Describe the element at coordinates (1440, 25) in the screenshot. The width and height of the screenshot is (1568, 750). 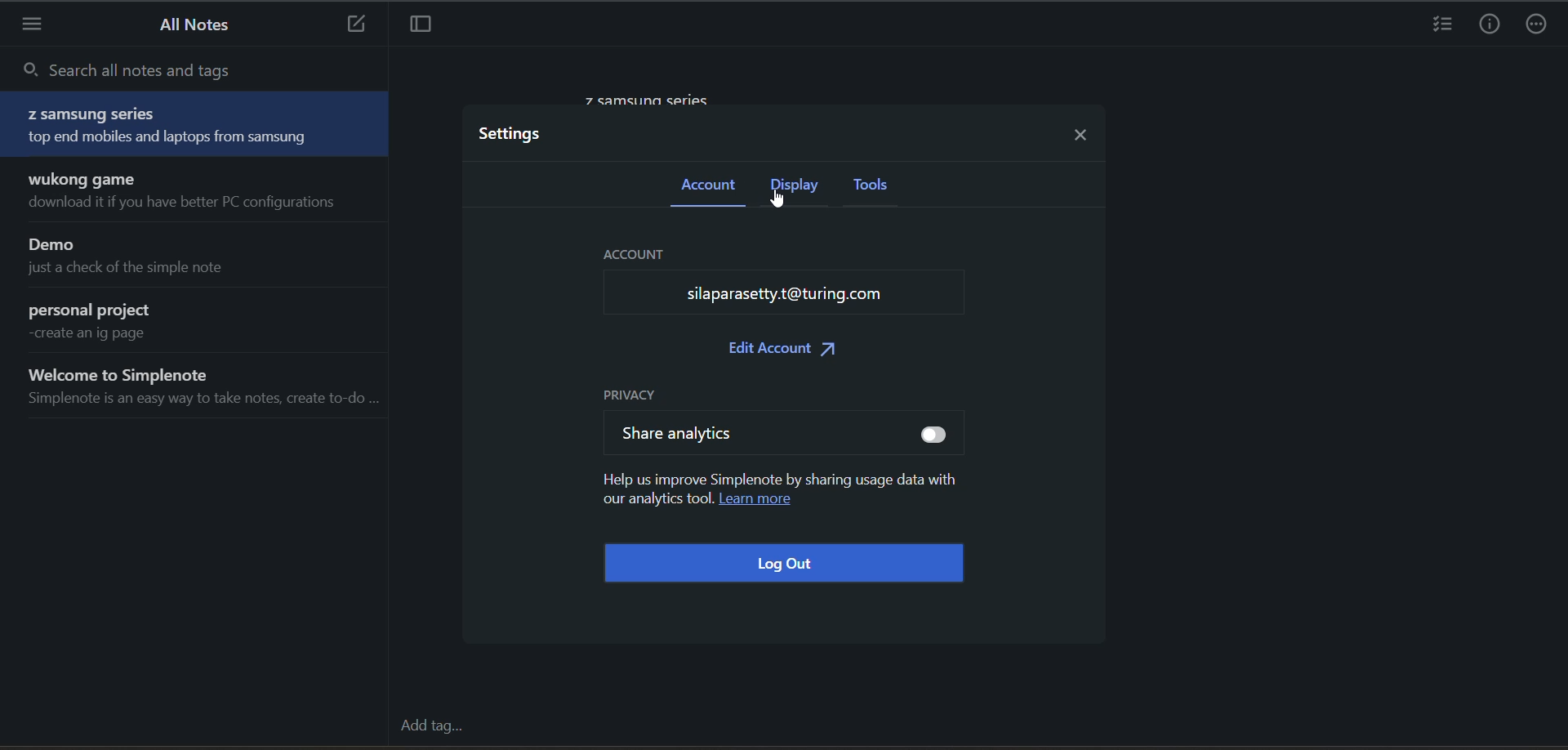
I see `insert checklist` at that location.